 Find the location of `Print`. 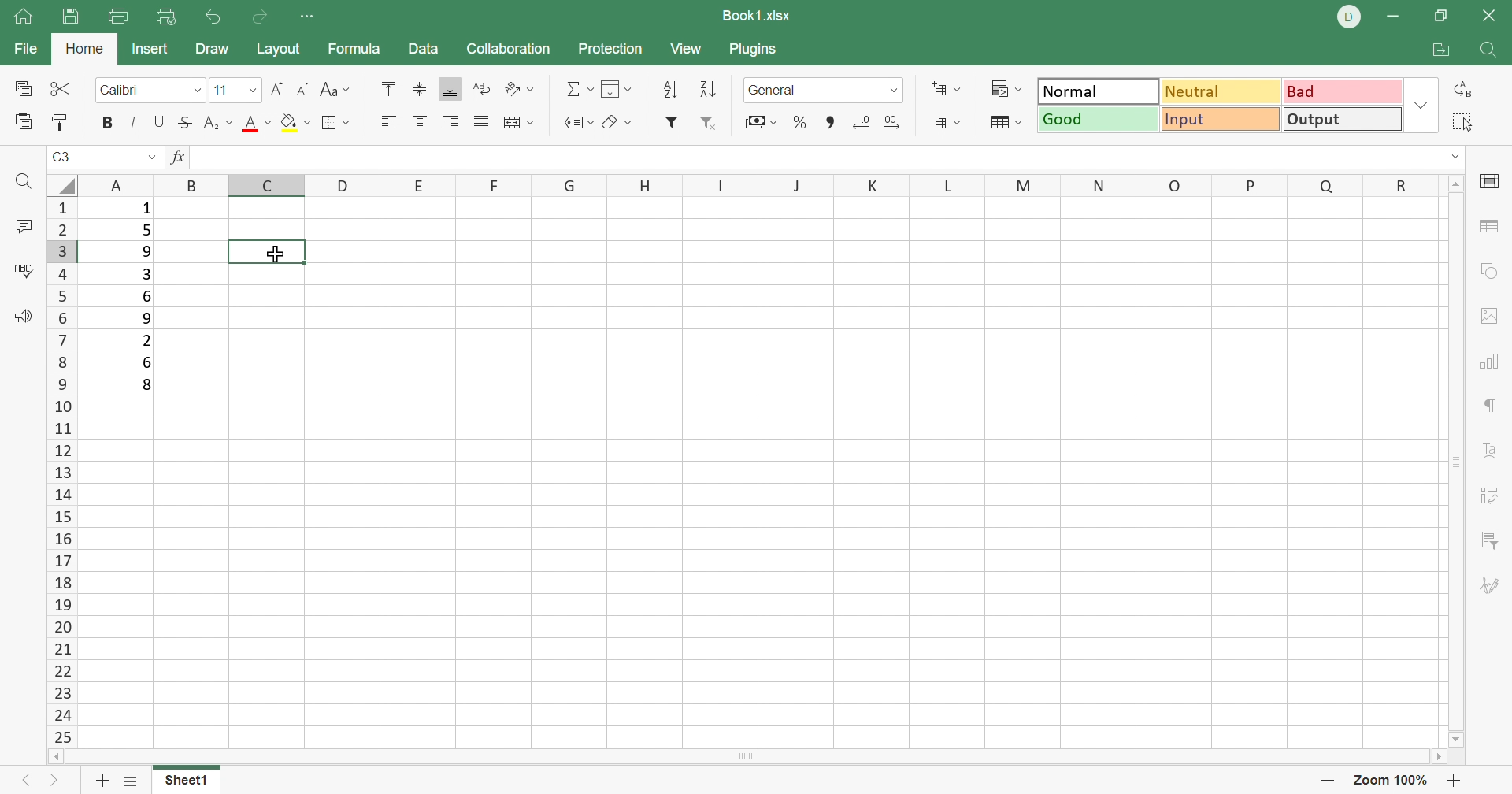

Print is located at coordinates (119, 16).